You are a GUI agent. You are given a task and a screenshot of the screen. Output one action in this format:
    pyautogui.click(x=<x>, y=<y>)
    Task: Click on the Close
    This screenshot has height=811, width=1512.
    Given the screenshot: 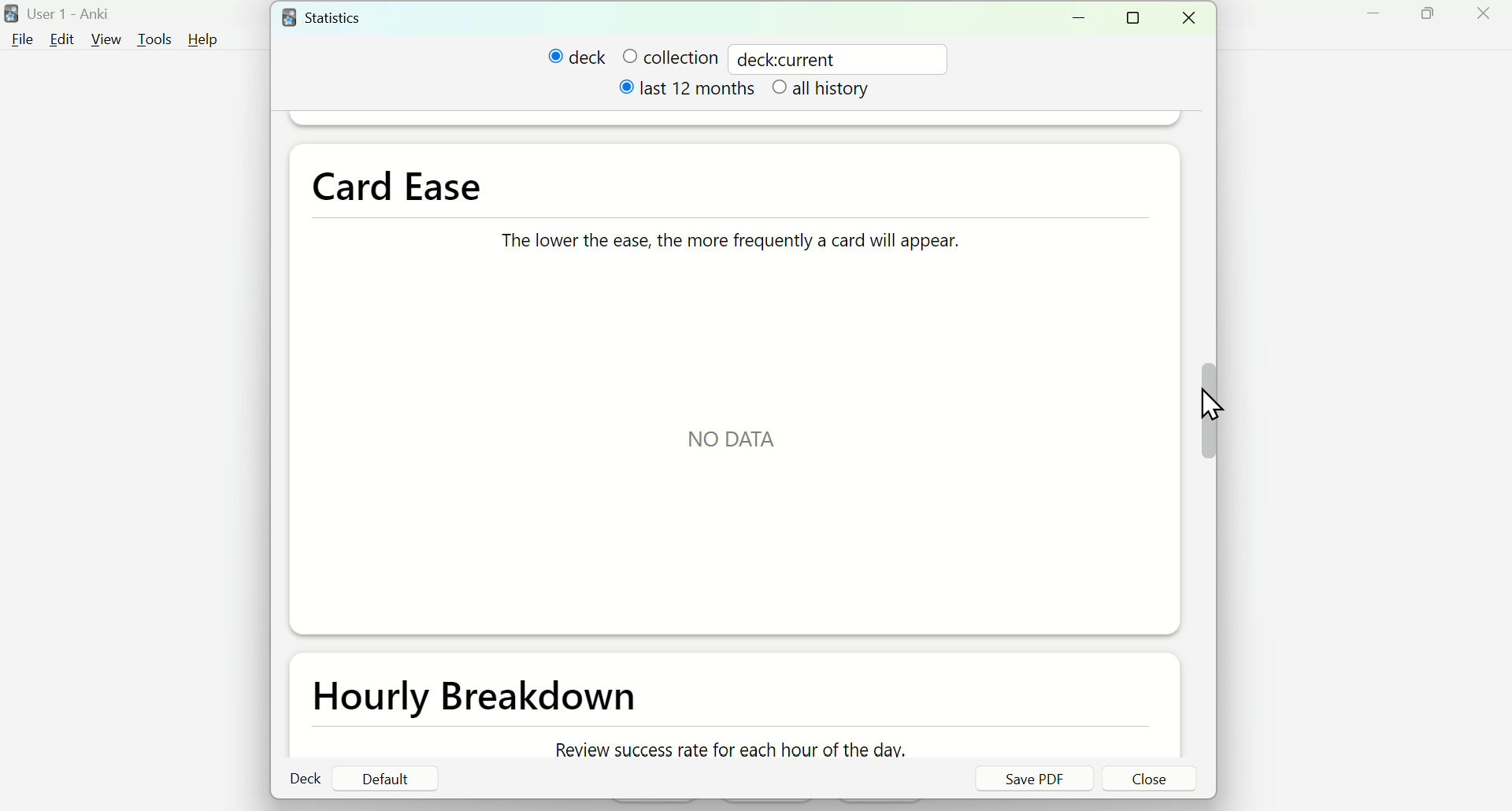 What is the action you would take?
    pyautogui.click(x=1151, y=780)
    